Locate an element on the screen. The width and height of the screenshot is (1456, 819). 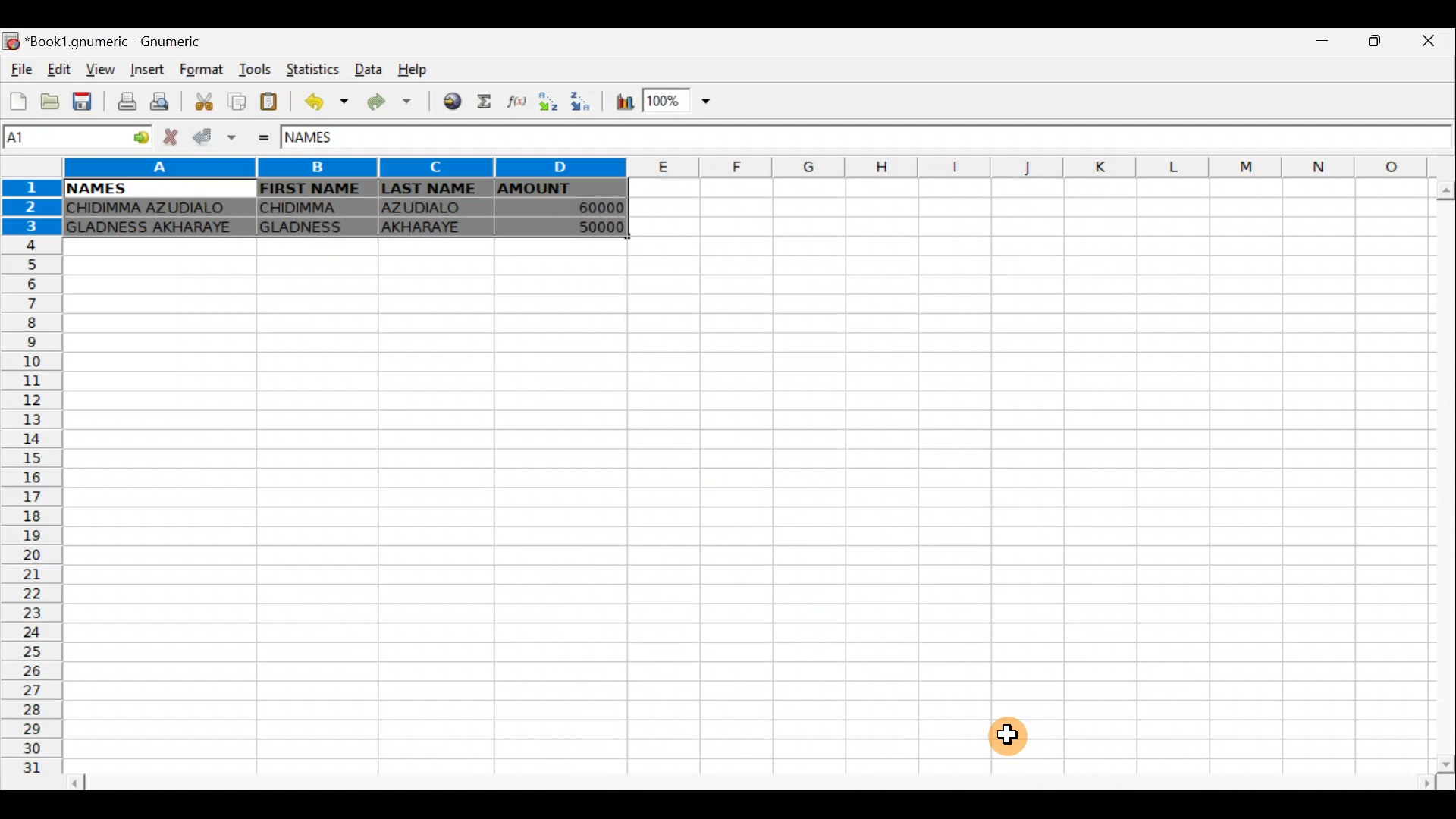
Sum into the current cell is located at coordinates (486, 102).